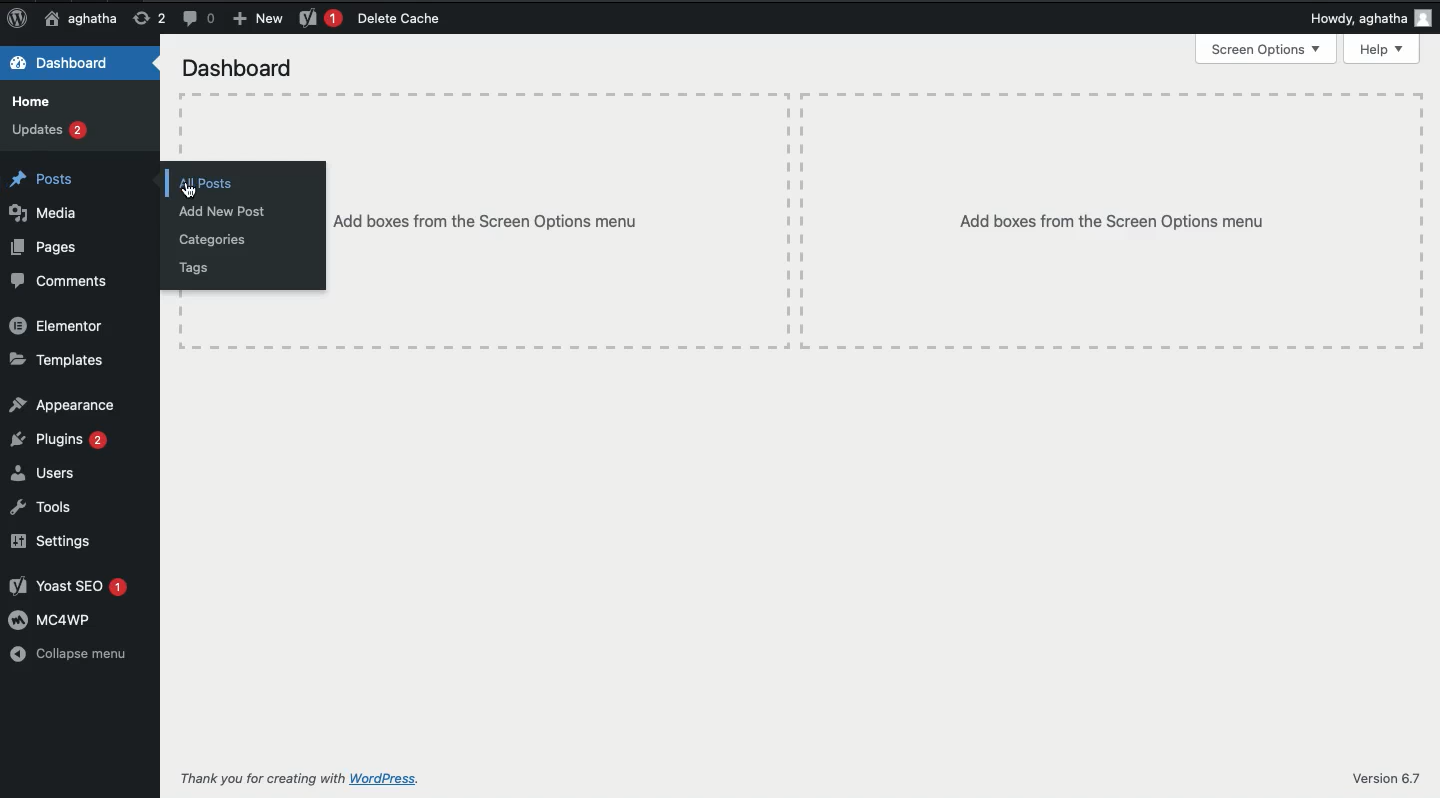 Image resolution: width=1440 pixels, height=798 pixels. Describe the element at coordinates (42, 506) in the screenshot. I see `Tools` at that location.